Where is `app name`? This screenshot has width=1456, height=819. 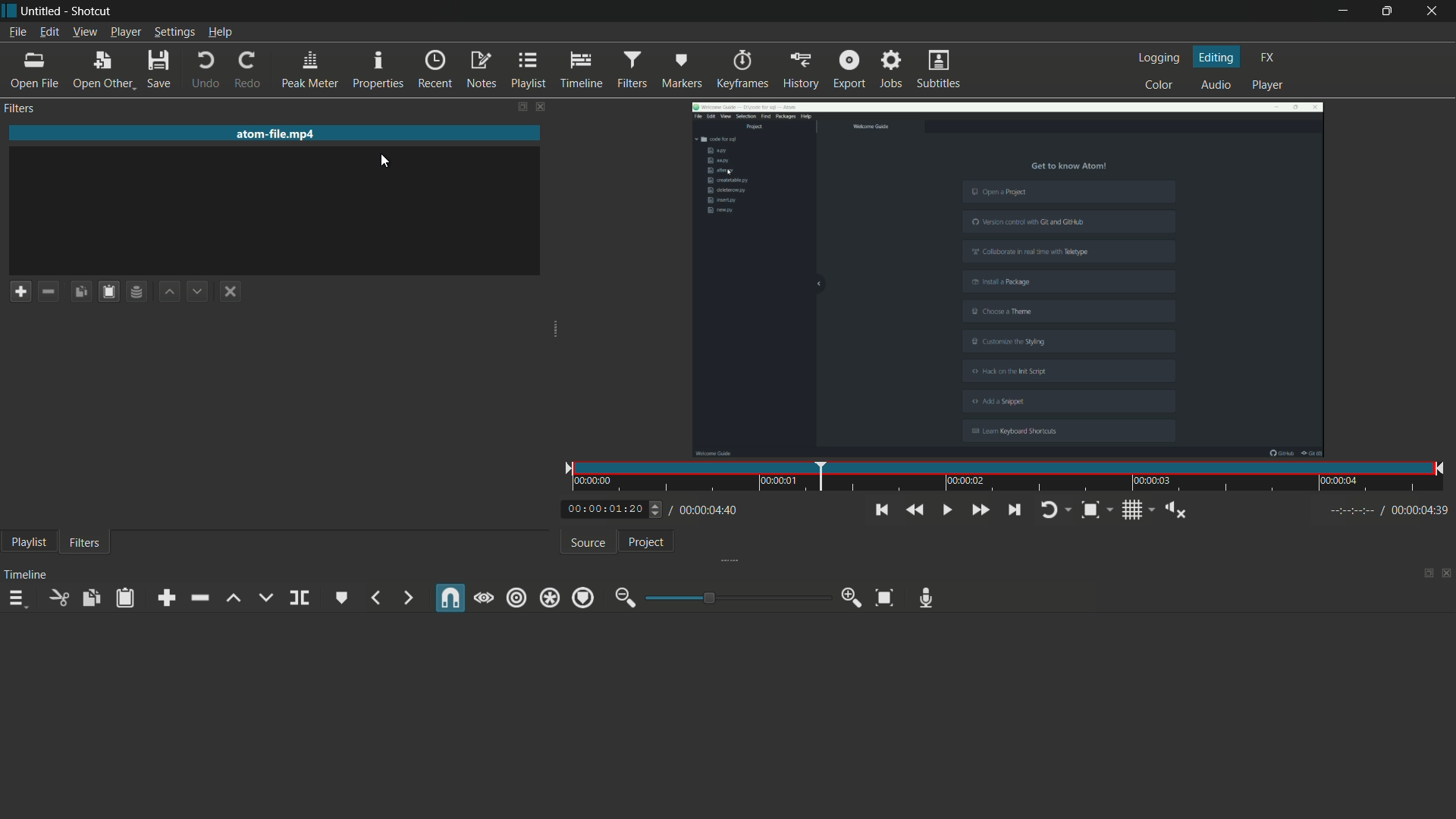
app name is located at coordinates (93, 11).